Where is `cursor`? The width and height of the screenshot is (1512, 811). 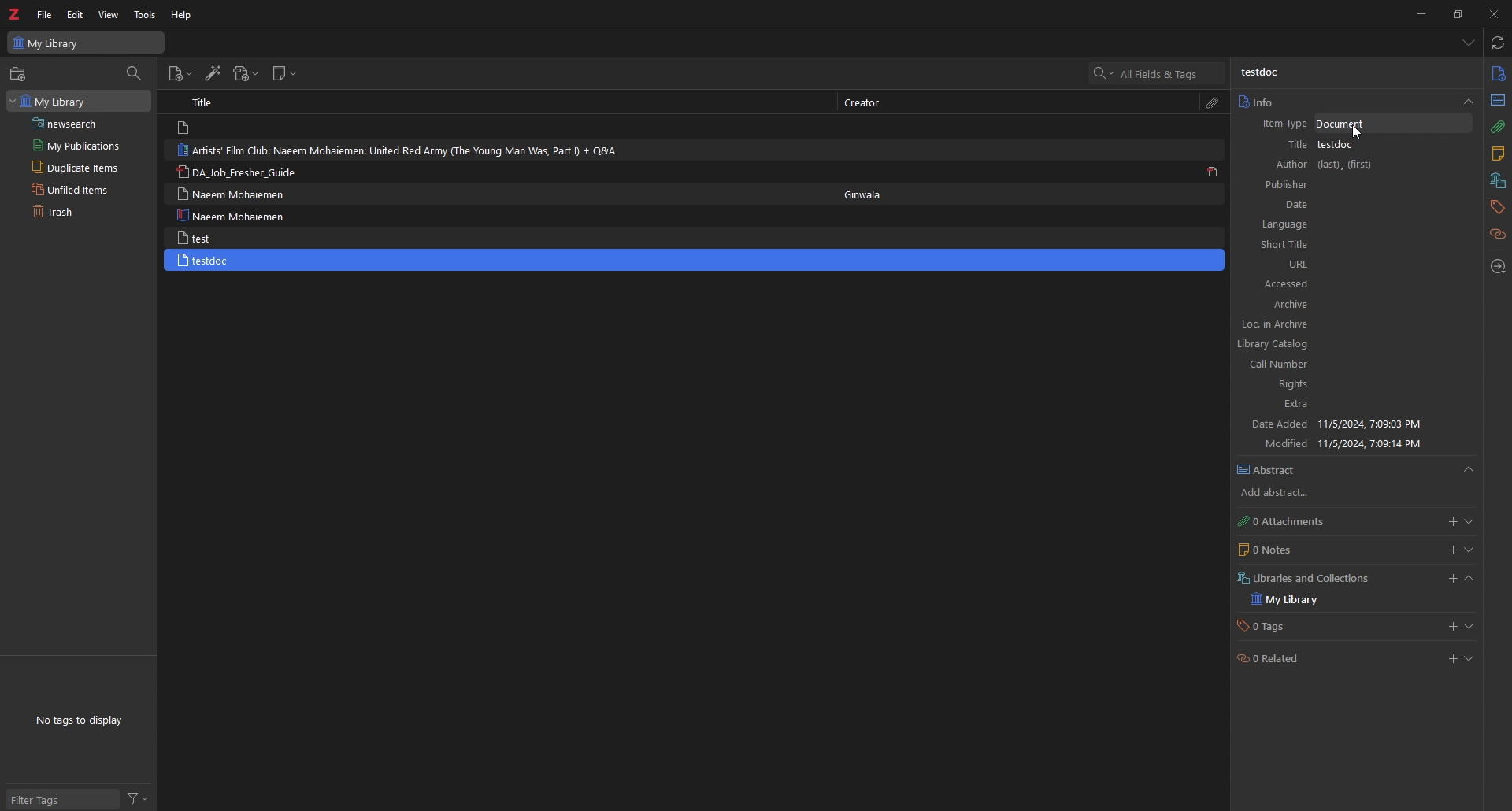 cursor is located at coordinates (1360, 132).